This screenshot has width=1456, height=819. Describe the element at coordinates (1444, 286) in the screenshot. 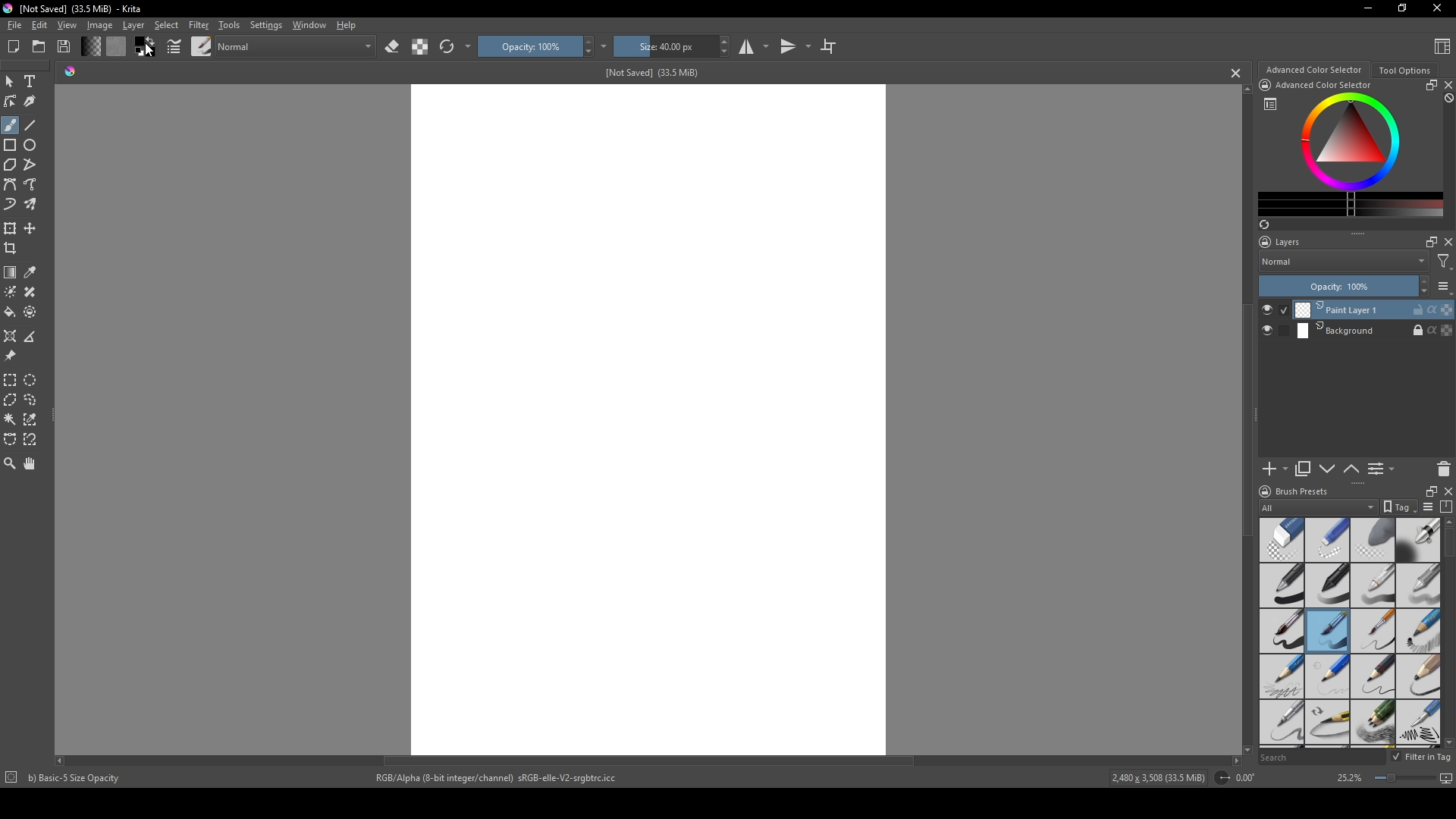

I see `list` at that location.